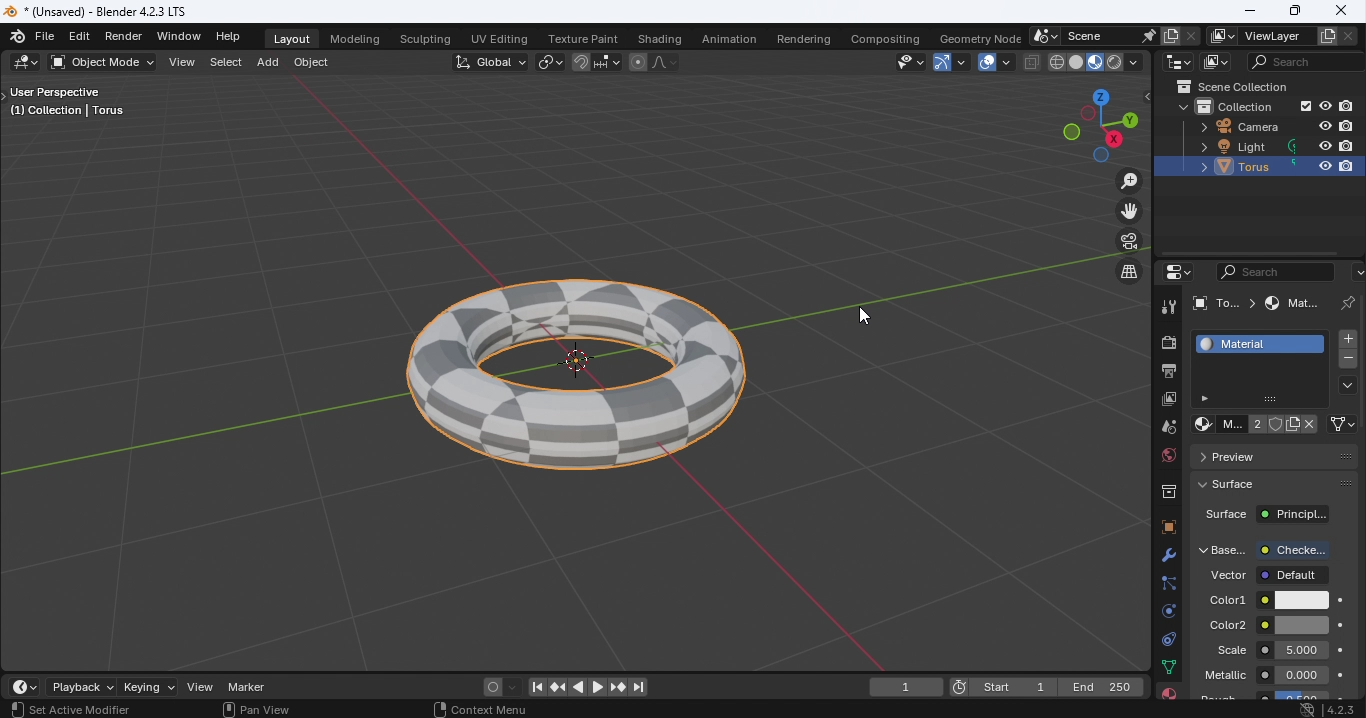 This screenshot has height=718, width=1366. I want to click on Sets the object interaction mode, so click(105, 63).